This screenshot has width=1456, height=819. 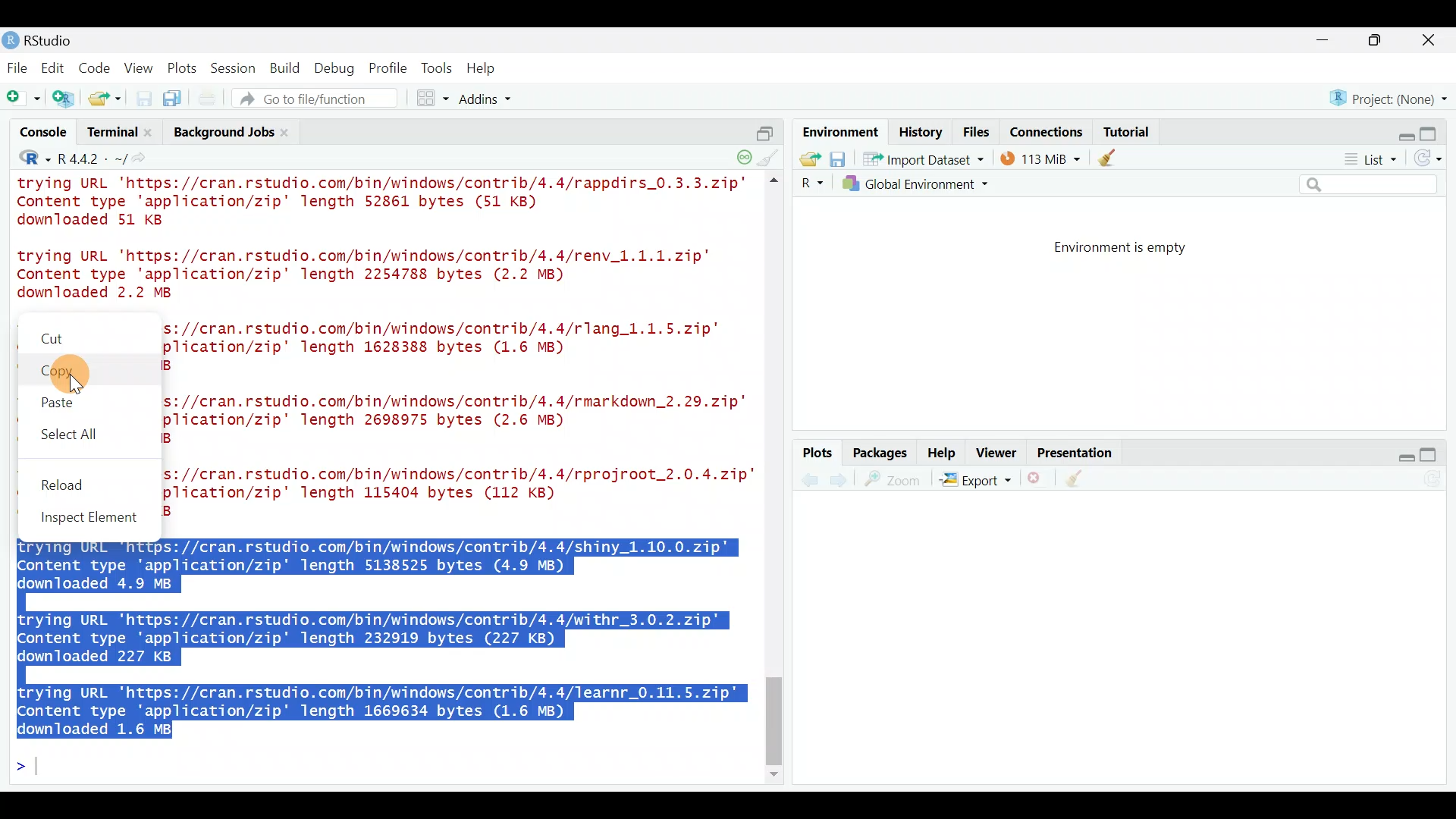 What do you see at coordinates (977, 132) in the screenshot?
I see `Files` at bounding box center [977, 132].